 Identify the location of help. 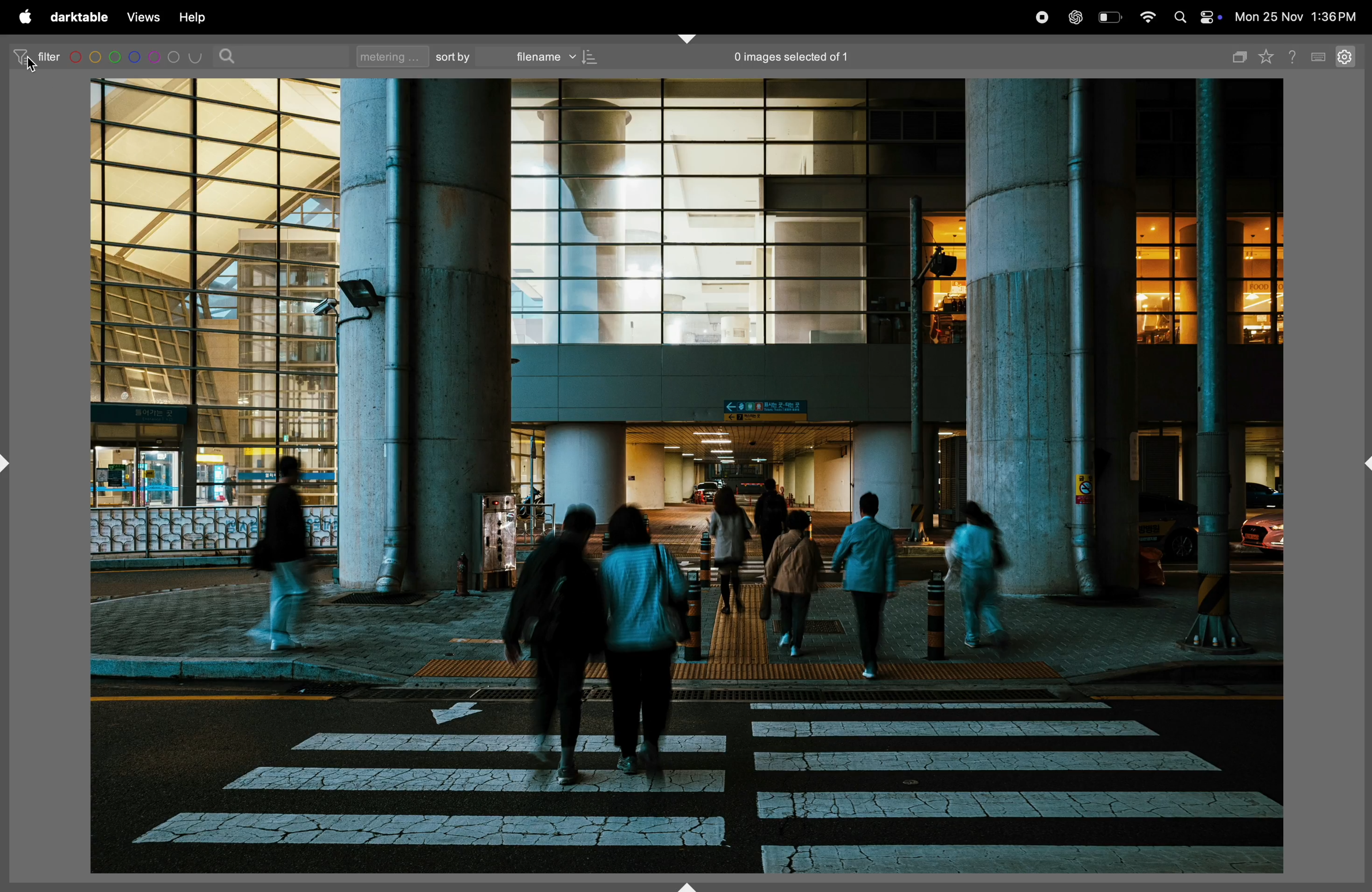
(202, 17).